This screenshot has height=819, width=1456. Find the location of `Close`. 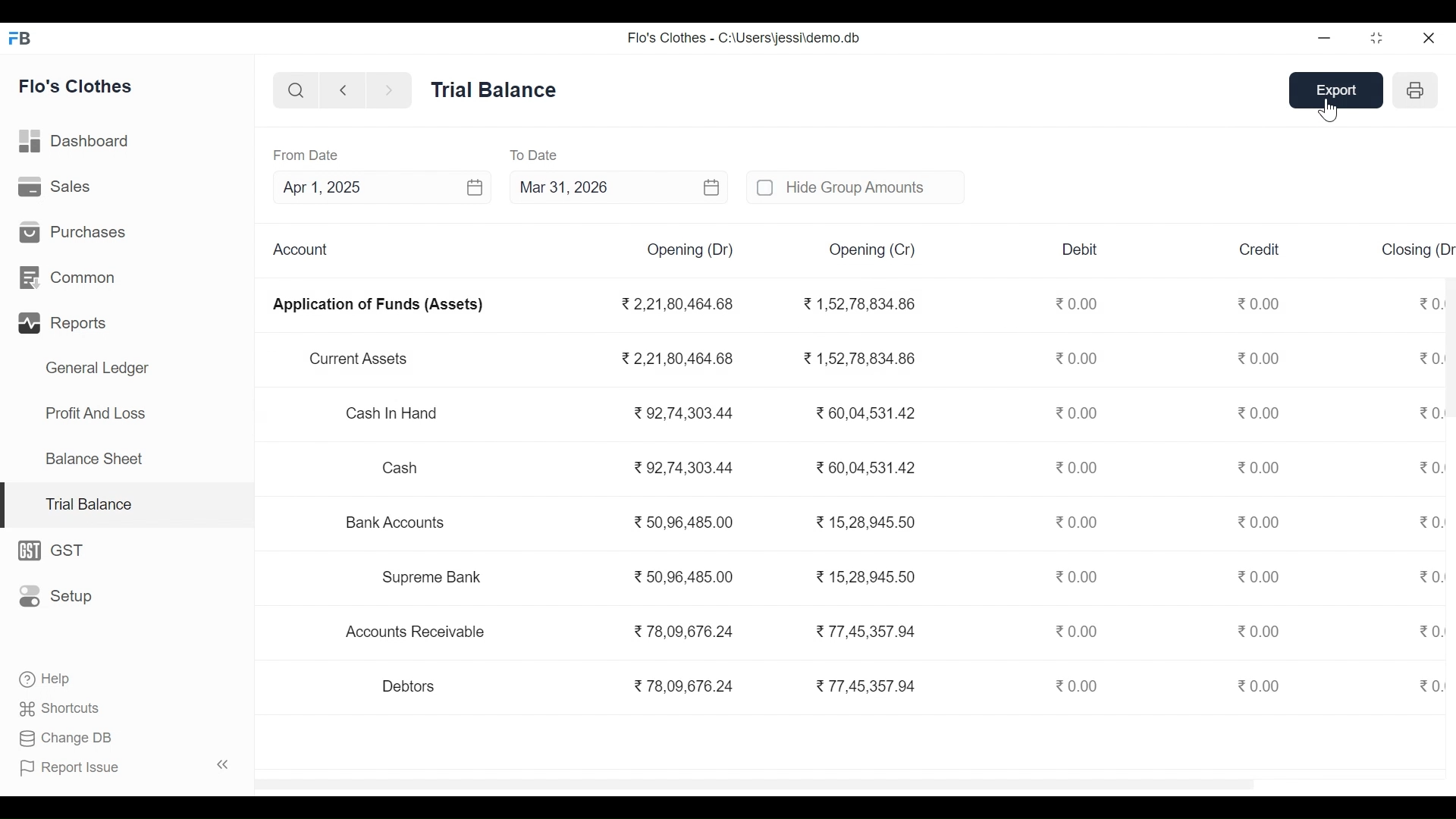

Close is located at coordinates (1427, 37).